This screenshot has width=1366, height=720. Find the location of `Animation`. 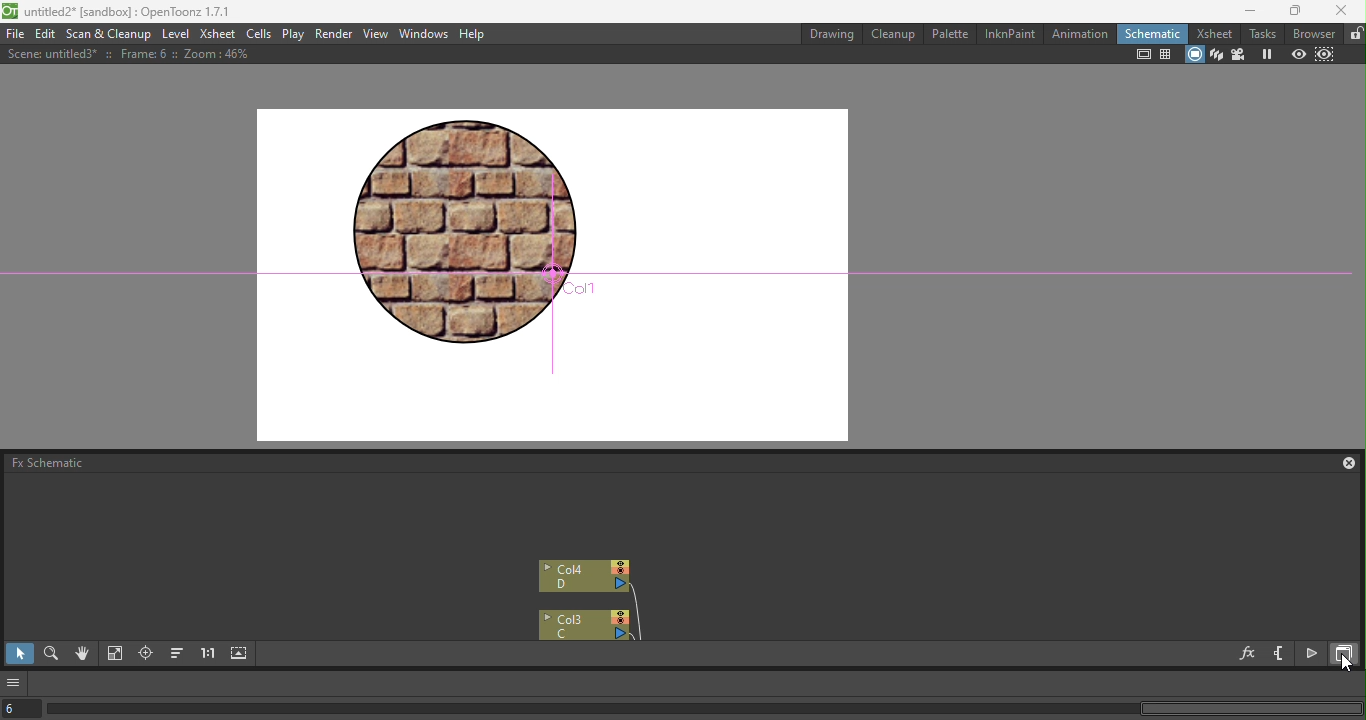

Animation is located at coordinates (1080, 34).